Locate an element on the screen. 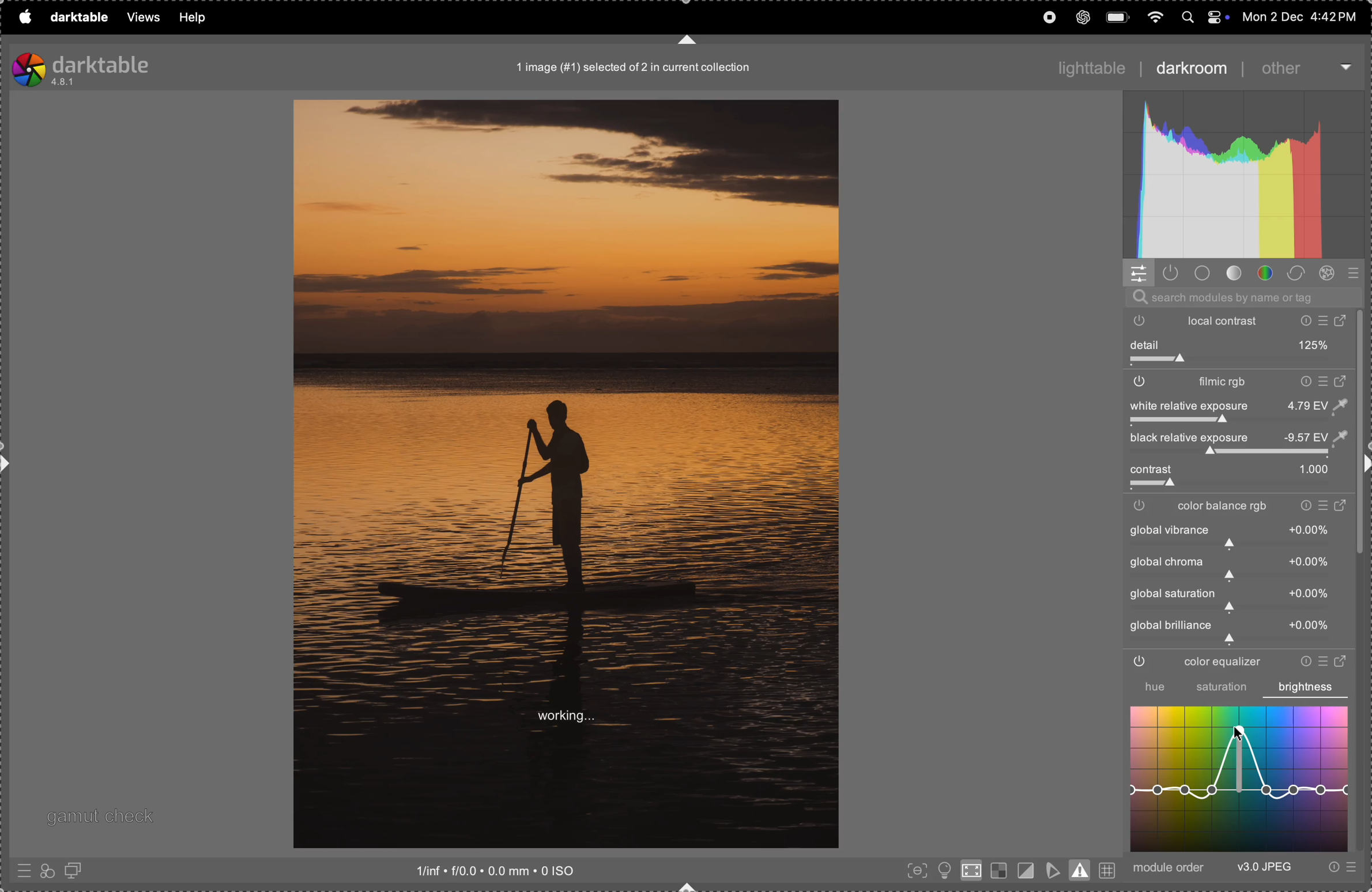 The image size is (1372, 892). hue is located at coordinates (1148, 687).